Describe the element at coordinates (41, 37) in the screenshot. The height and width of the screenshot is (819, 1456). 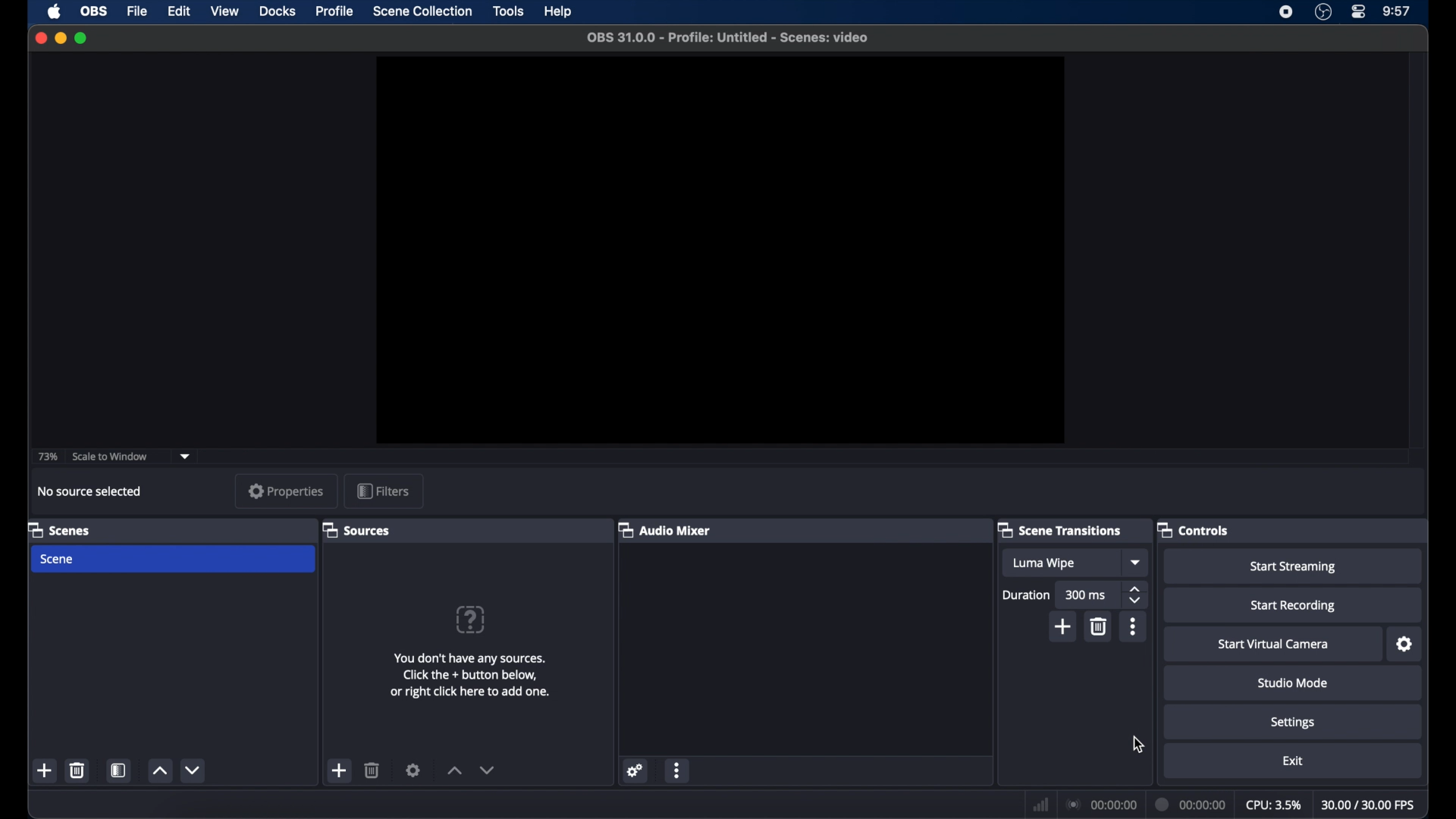
I see `close` at that location.